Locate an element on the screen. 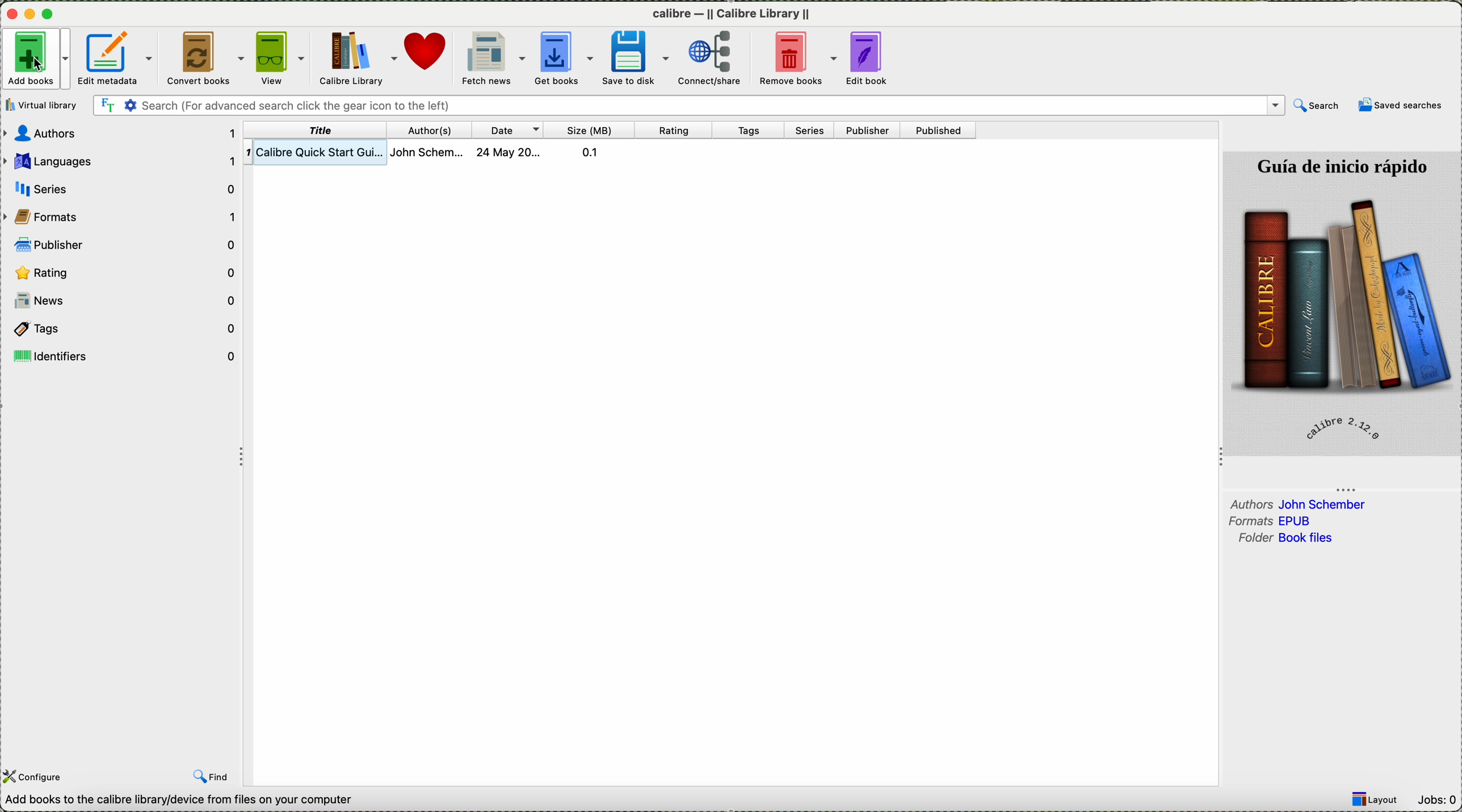  maximize program is located at coordinates (50, 15).